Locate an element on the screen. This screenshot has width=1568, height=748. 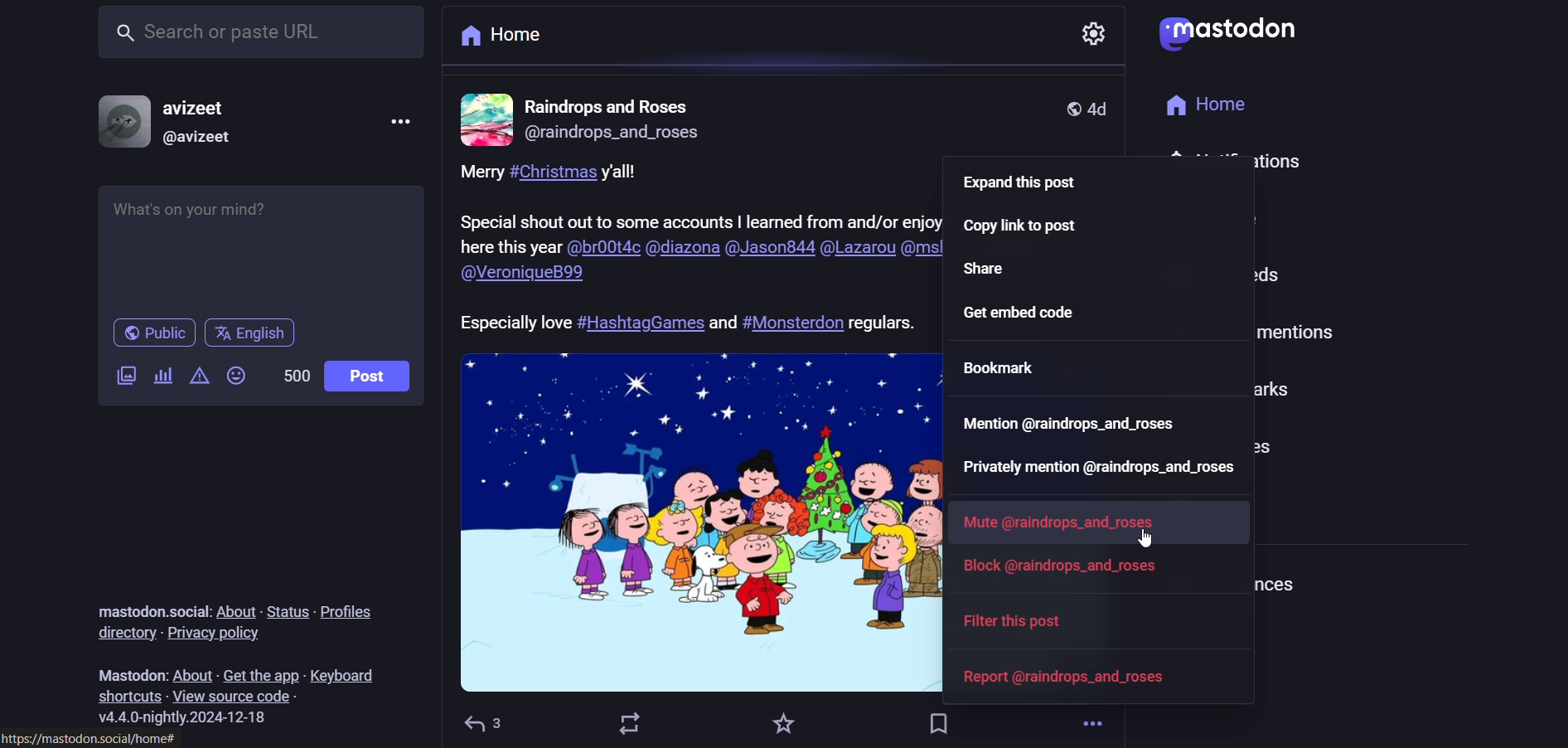
post is located at coordinates (371, 372).